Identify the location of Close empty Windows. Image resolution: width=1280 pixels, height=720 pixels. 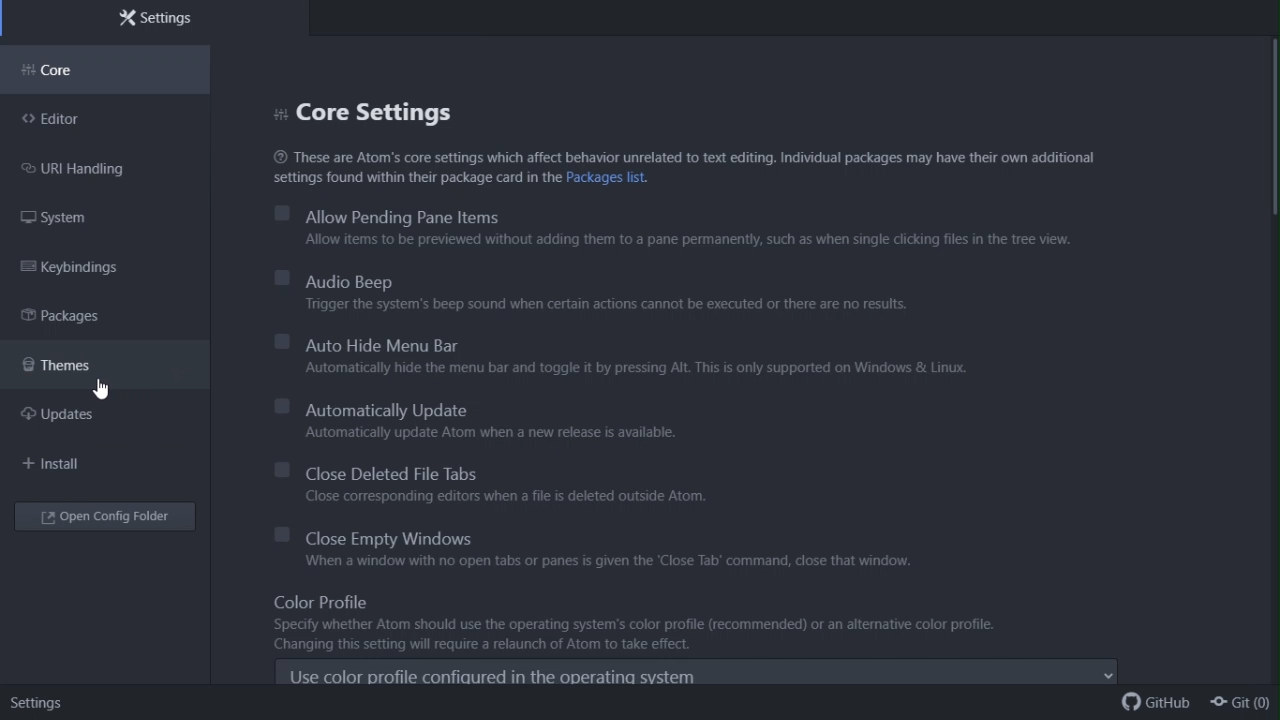
(607, 548).